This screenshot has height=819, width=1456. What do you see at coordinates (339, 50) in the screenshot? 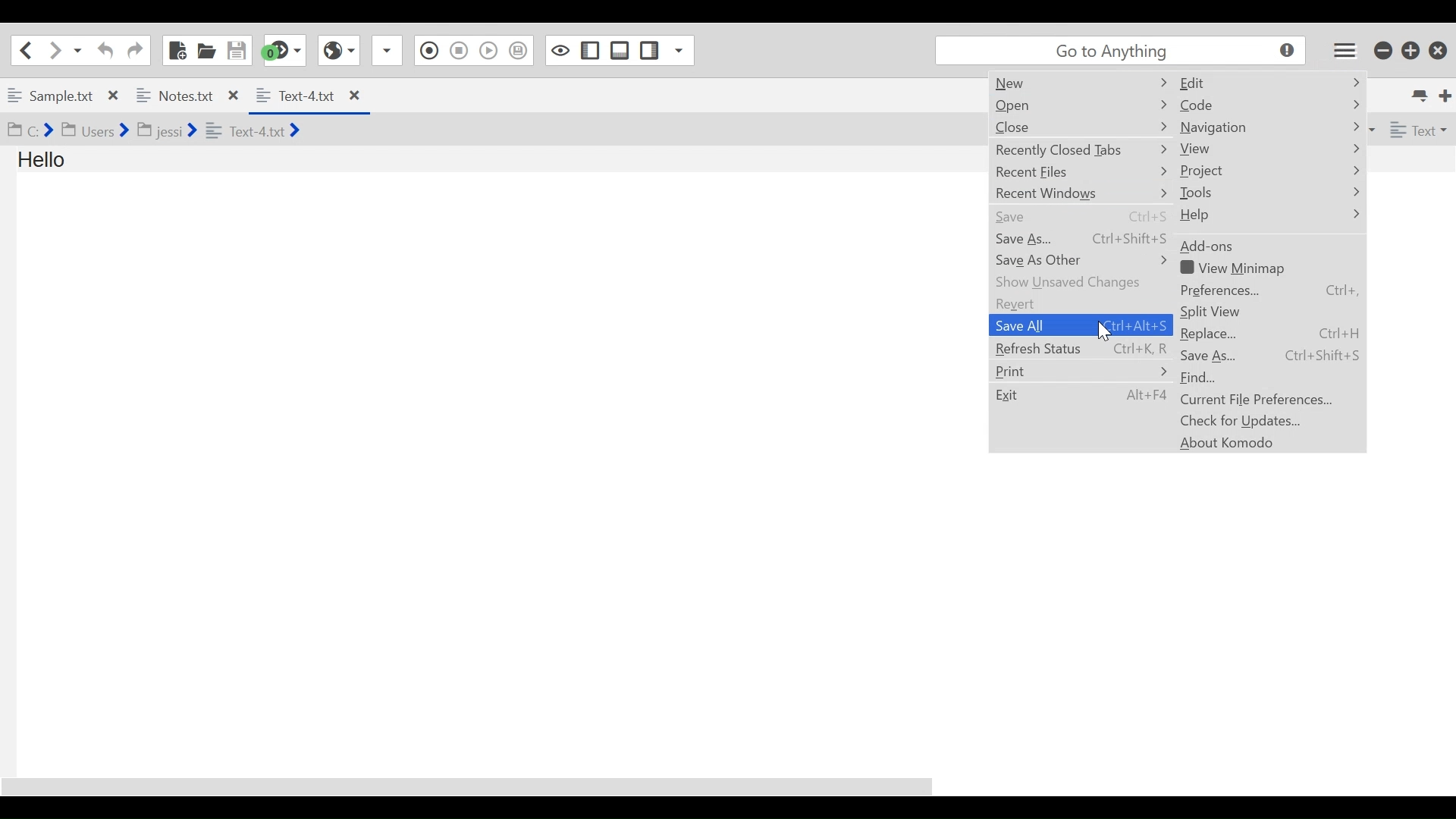
I see `View in Browser` at bounding box center [339, 50].